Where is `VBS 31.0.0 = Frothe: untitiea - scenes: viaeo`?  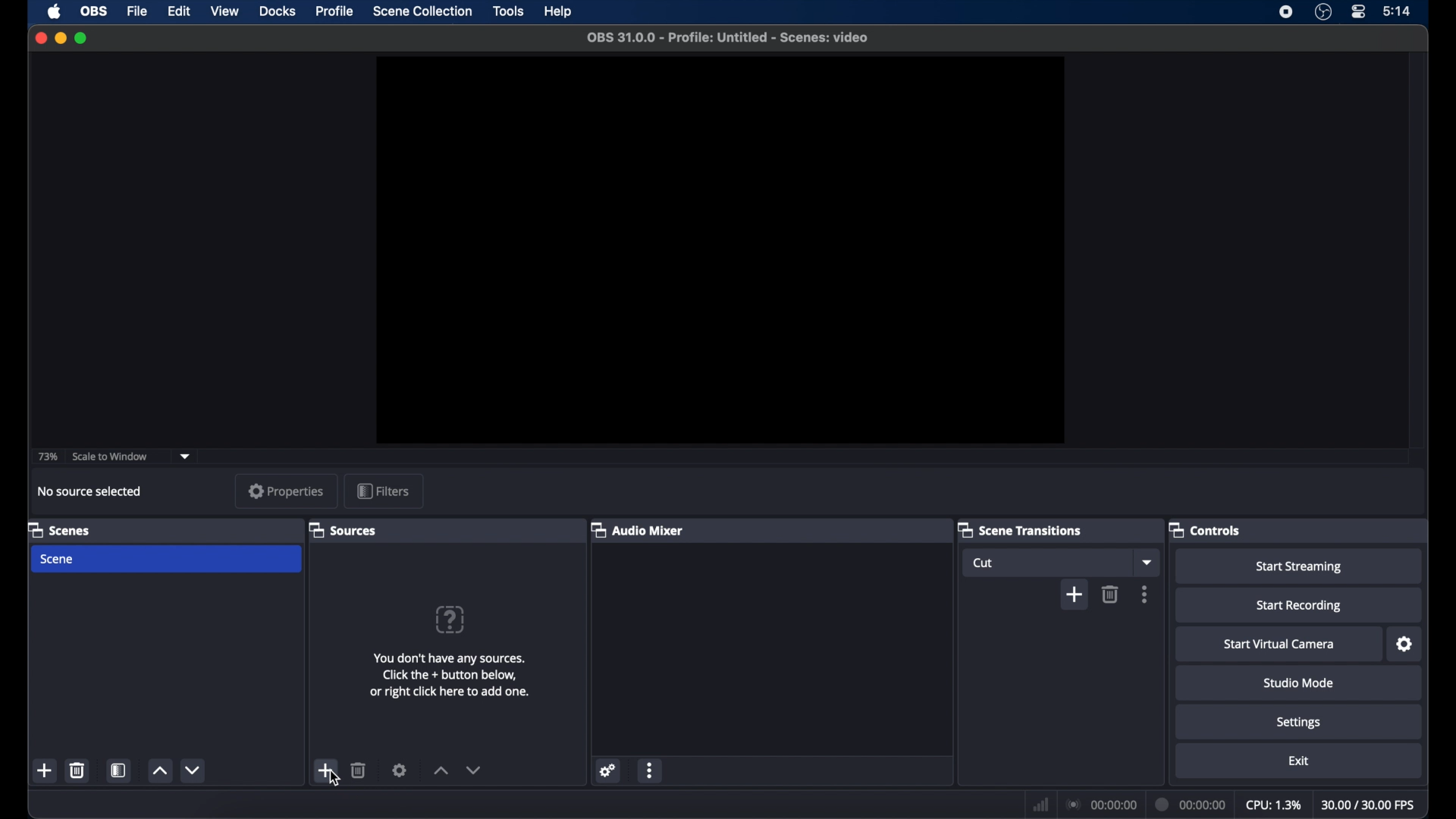
VBS 31.0.0 = Frothe: untitiea - scenes: viaeo is located at coordinates (739, 39).